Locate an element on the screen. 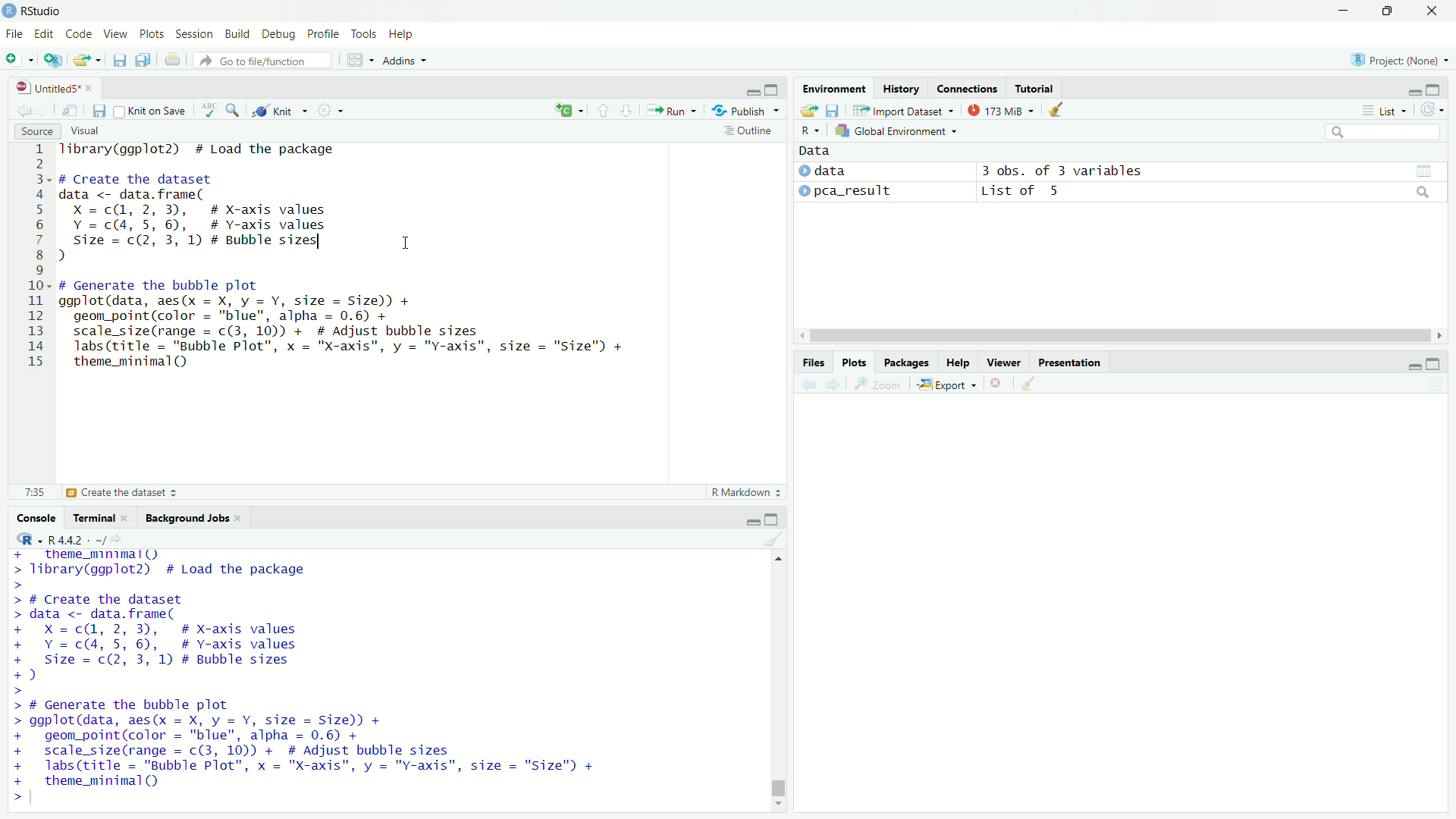  settings is located at coordinates (330, 111).